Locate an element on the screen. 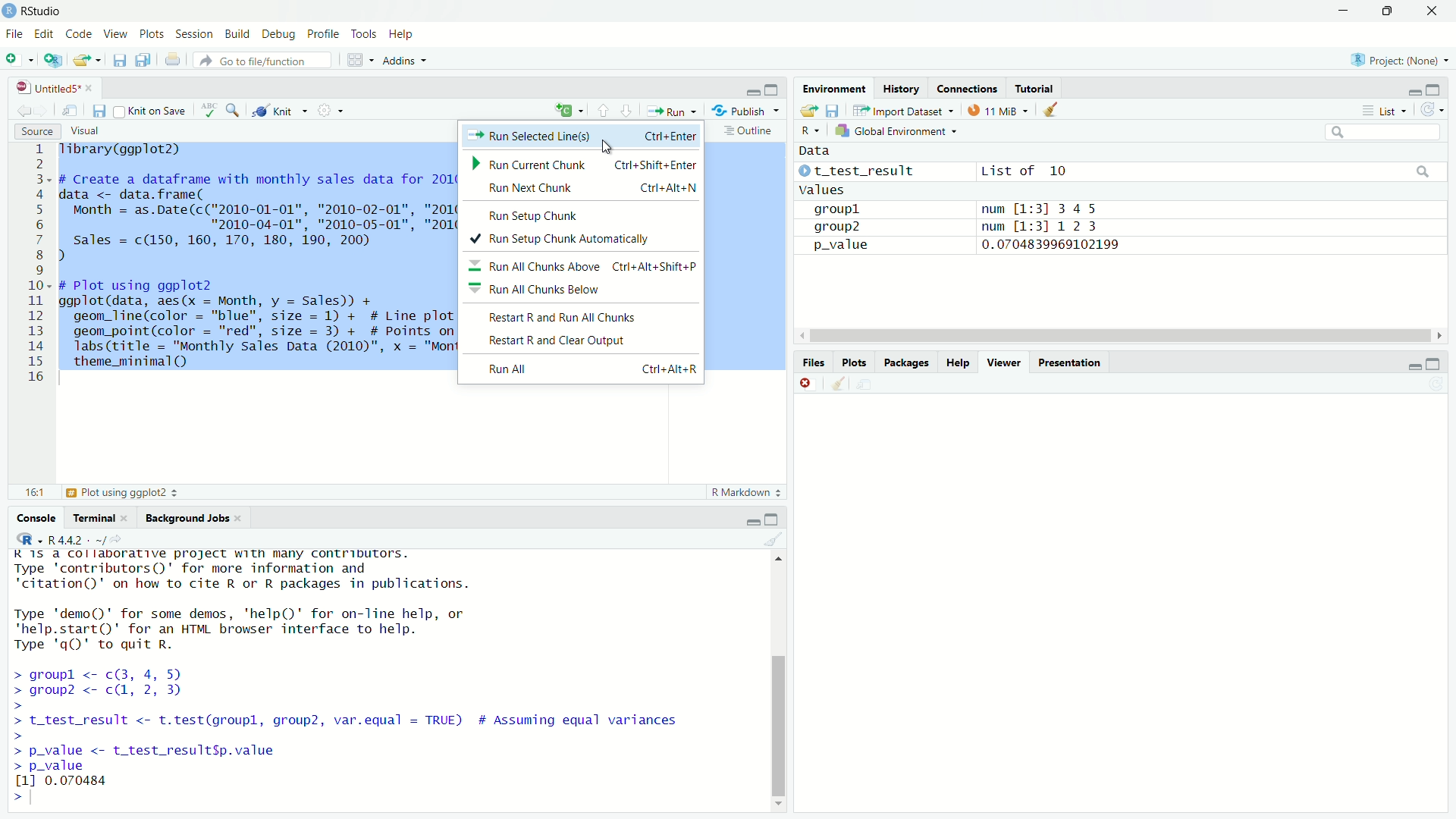 The width and height of the screenshot is (1456, 819). minimise is located at coordinates (752, 522).